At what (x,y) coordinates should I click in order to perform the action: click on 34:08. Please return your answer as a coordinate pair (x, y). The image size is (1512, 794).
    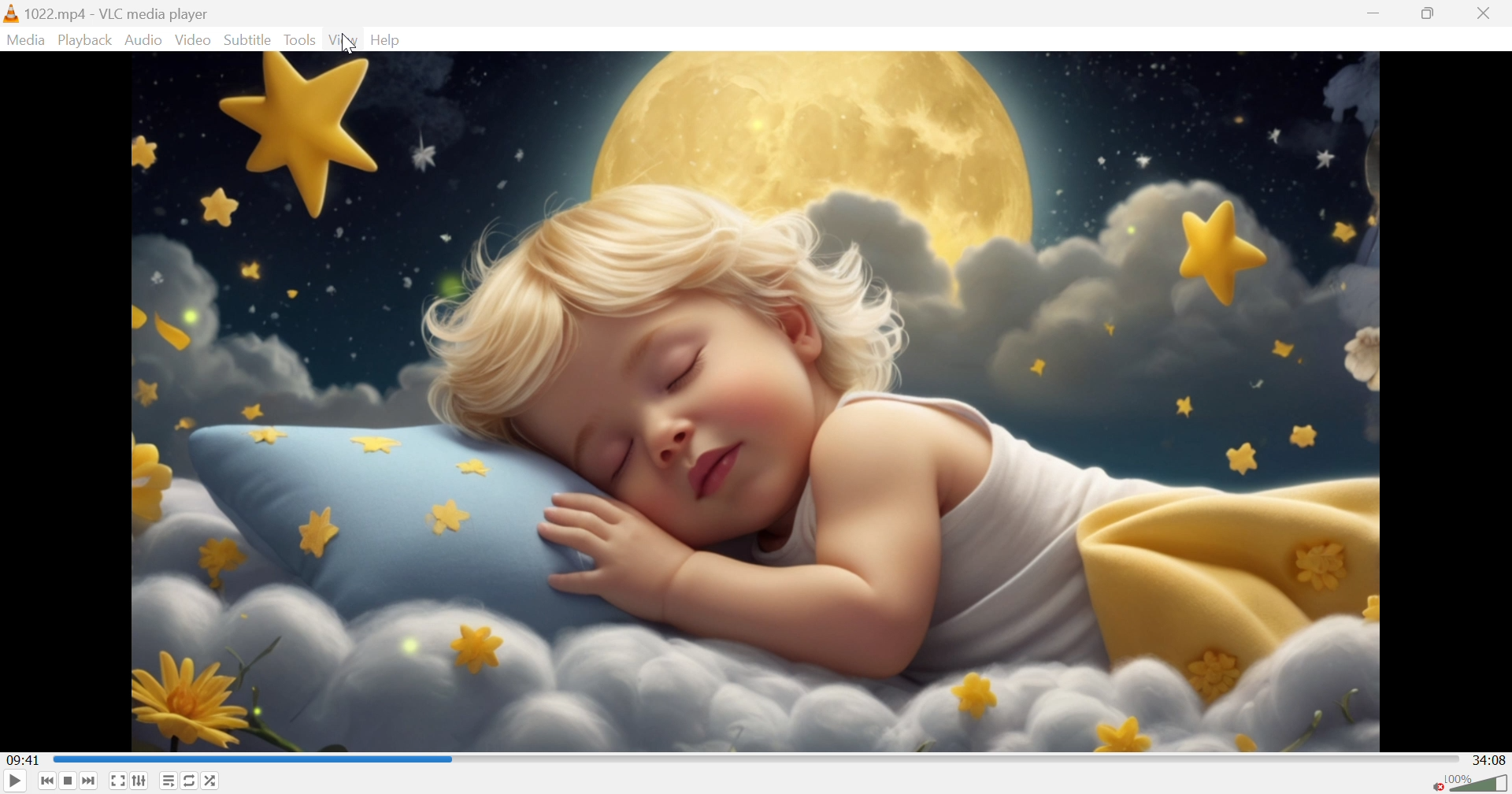
    Looking at the image, I should click on (1490, 760).